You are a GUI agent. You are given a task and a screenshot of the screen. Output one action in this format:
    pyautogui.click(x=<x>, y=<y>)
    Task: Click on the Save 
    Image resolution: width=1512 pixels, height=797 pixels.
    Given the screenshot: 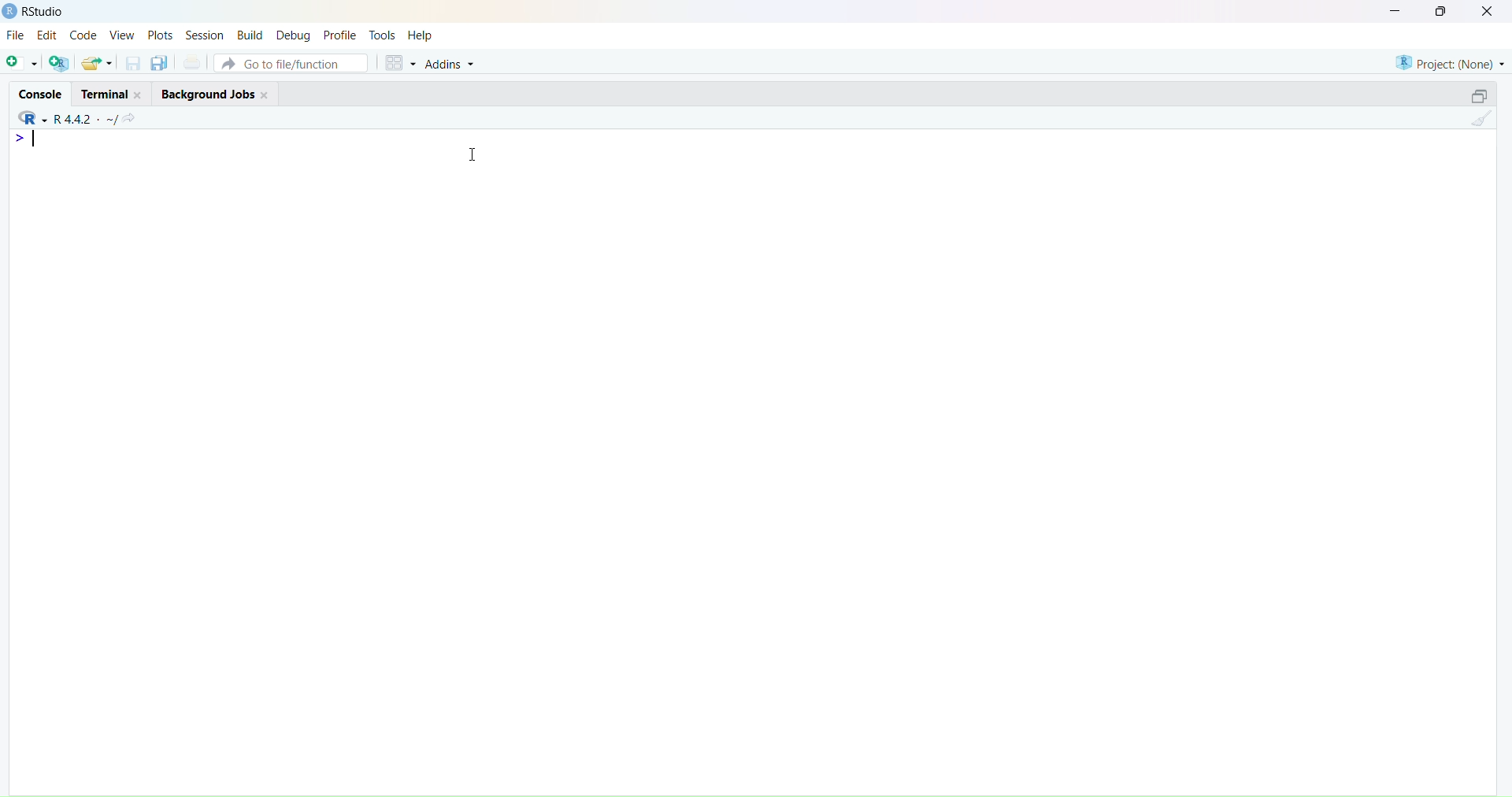 What is the action you would take?
    pyautogui.click(x=134, y=63)
    